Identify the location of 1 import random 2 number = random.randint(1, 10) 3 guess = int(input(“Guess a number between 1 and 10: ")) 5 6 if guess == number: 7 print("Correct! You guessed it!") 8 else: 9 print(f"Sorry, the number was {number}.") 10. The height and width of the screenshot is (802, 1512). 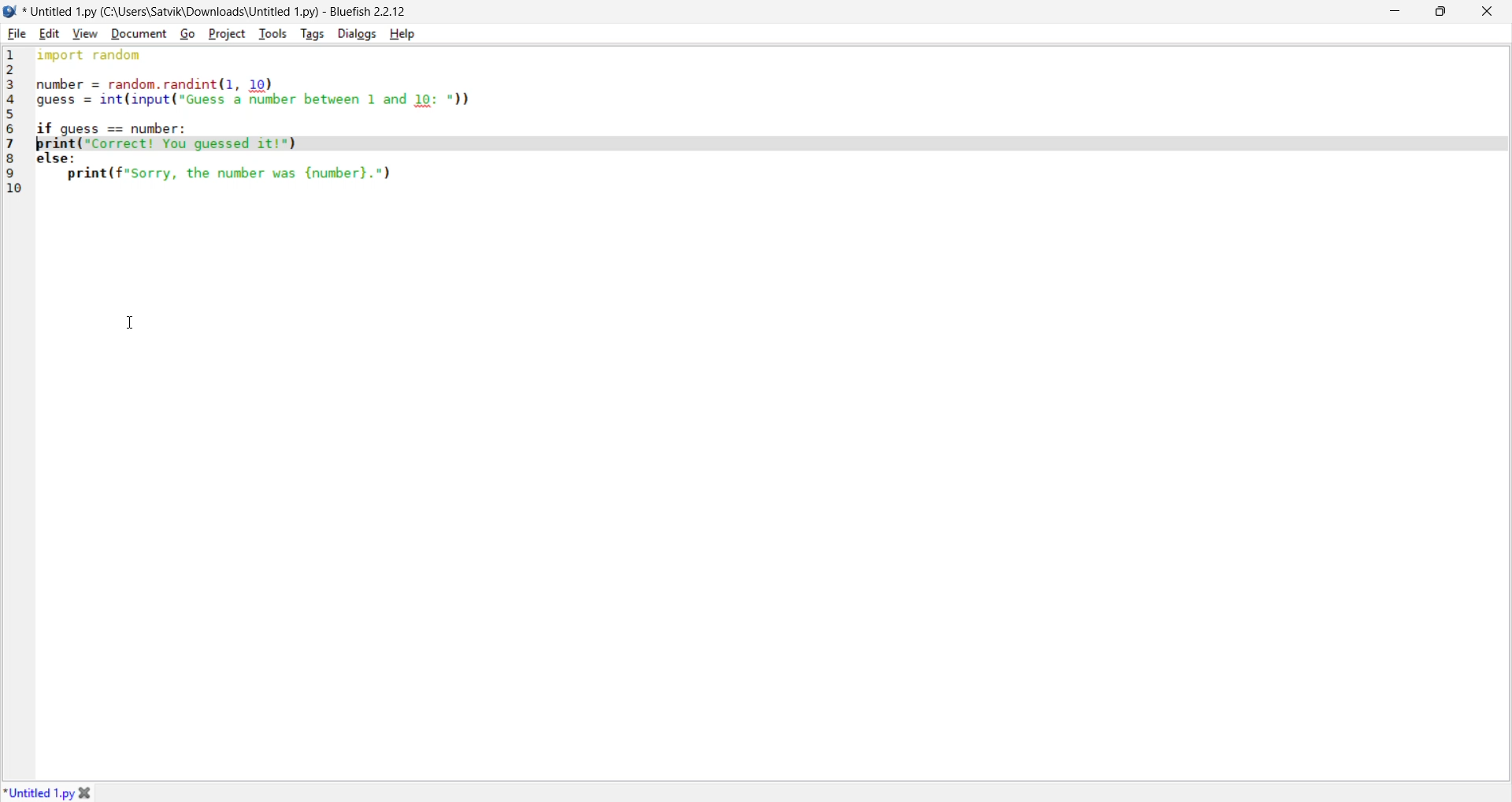
(244, 124).